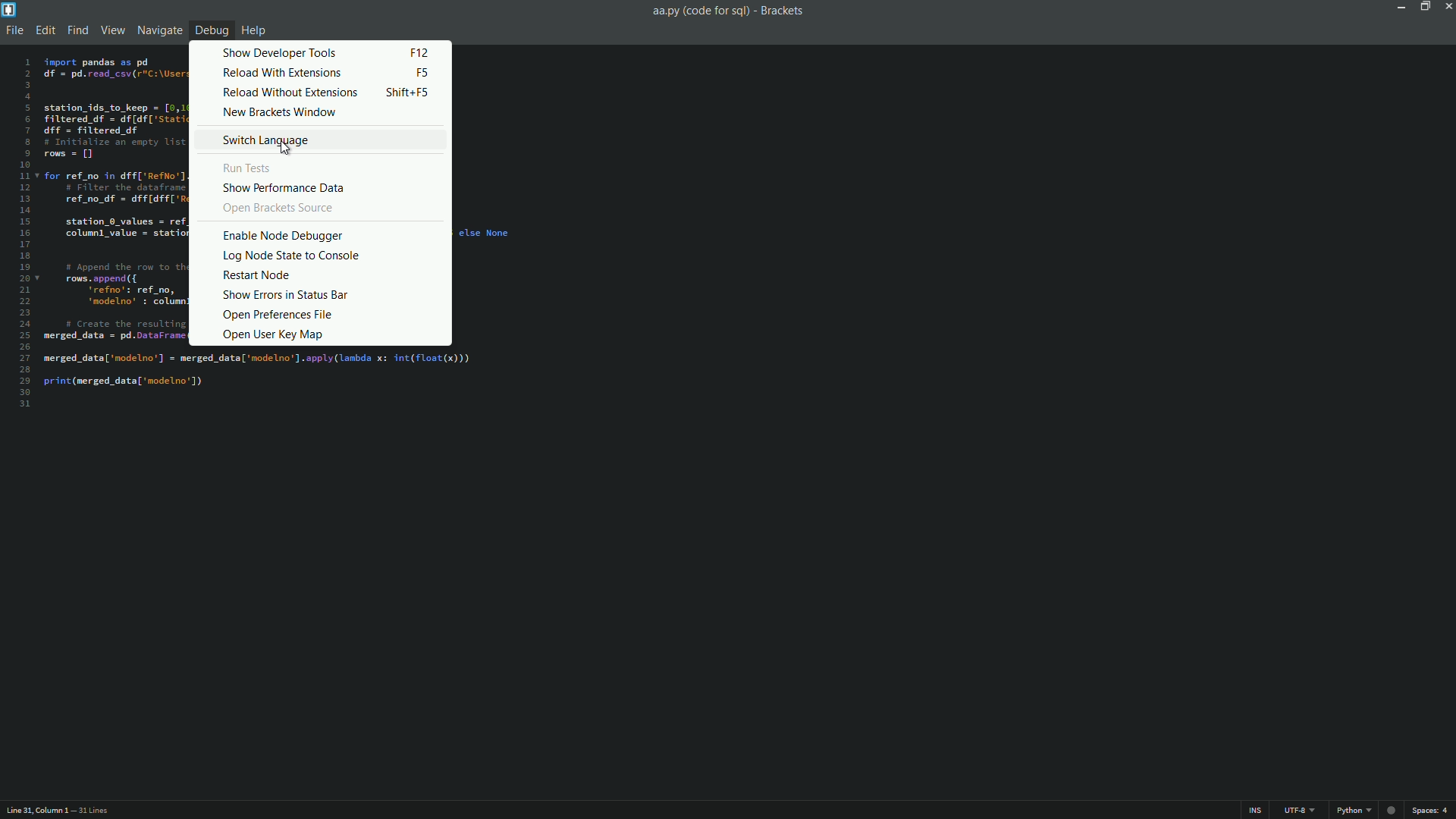 This screenshot has width=1456, height=819. I want to click on space, so click(1434, 811).